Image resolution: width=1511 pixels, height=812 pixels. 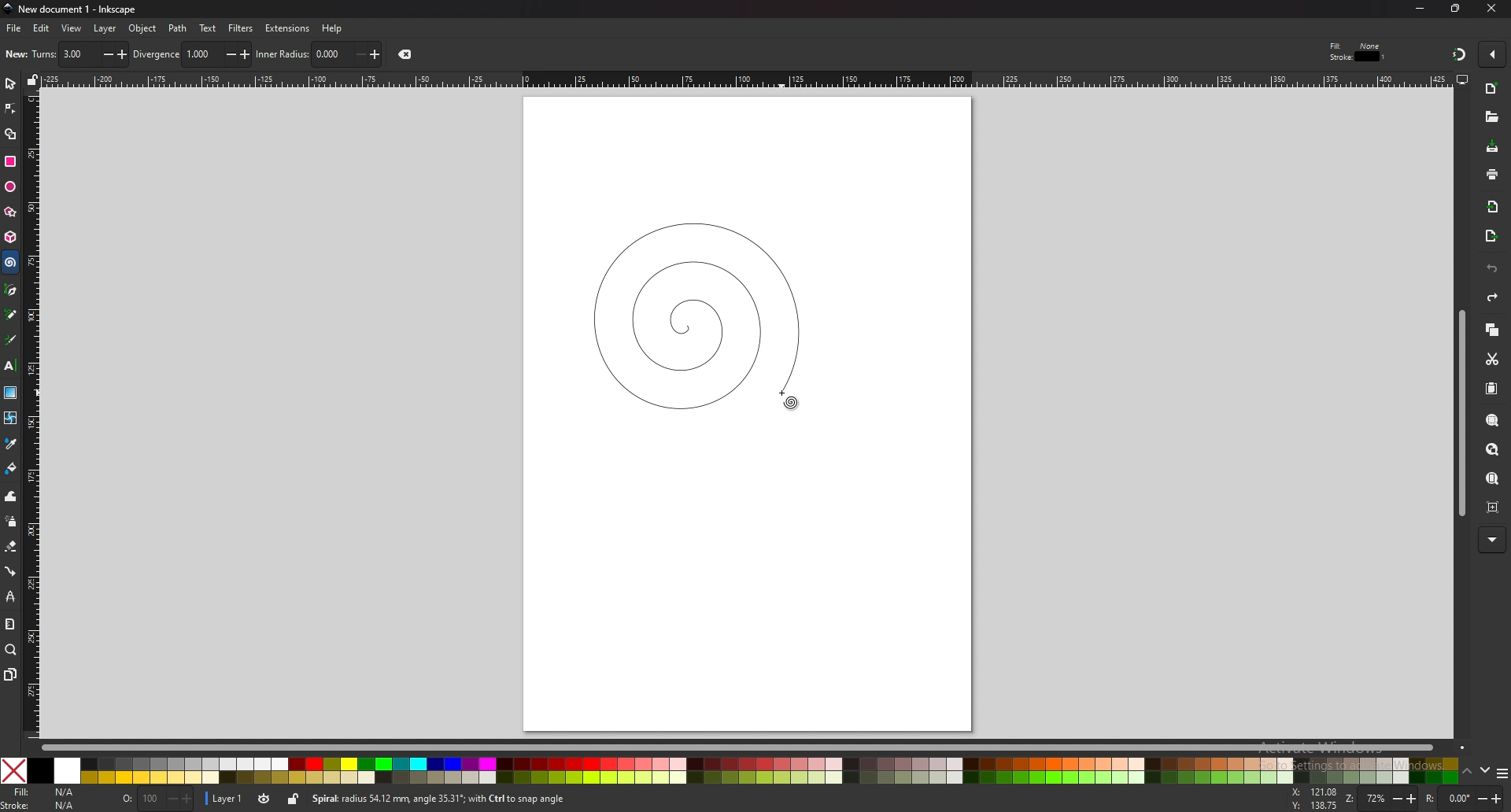 I want to click on lpe, so click(x=10, y=598).